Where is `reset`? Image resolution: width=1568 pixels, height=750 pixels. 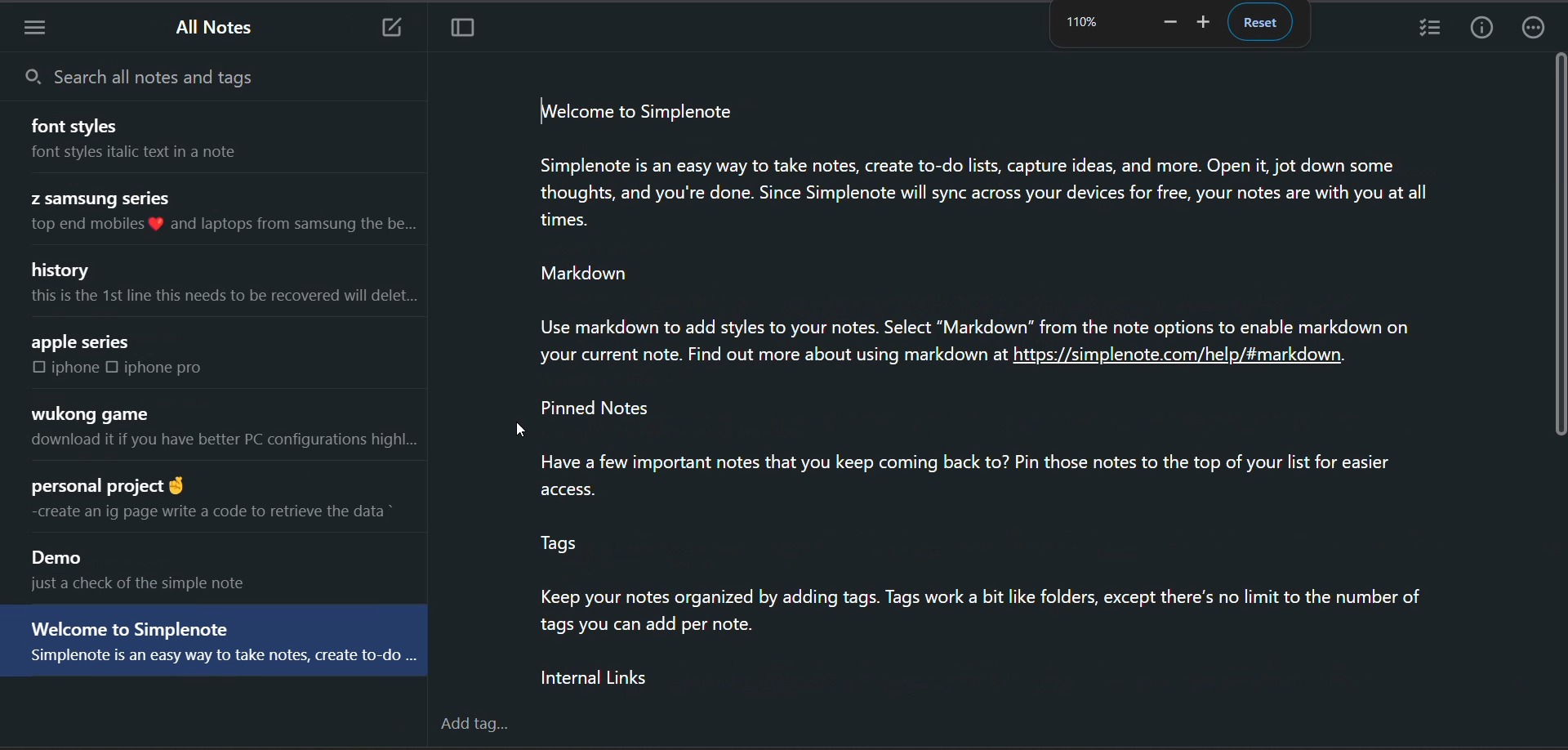
reset is located at coordinates (1263, 23).